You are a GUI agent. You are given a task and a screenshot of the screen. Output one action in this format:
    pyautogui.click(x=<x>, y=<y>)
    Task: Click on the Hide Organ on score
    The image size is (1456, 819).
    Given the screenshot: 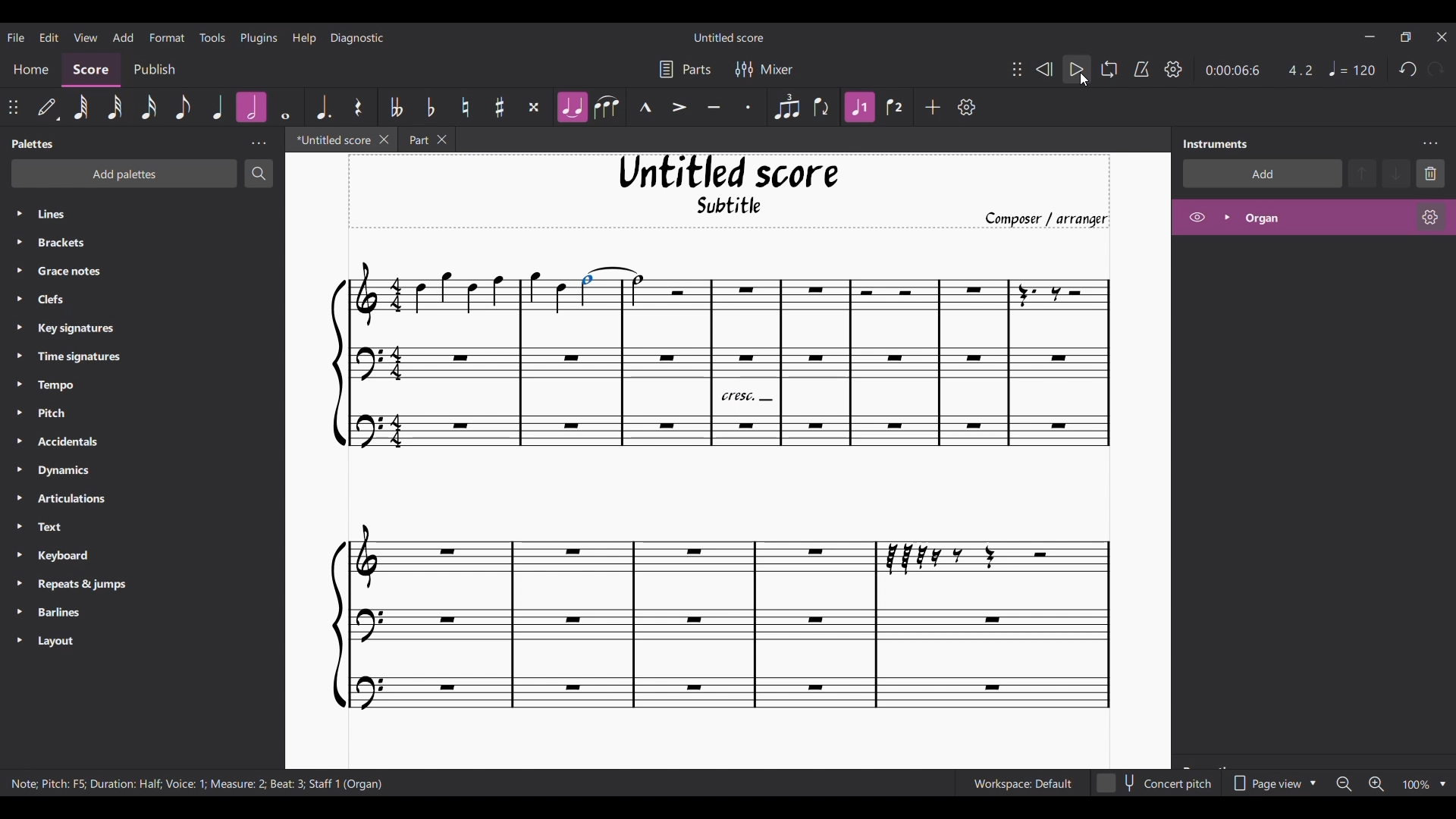 What is the action you would take?
    pyautogui.click(x=1197, y=217)
    